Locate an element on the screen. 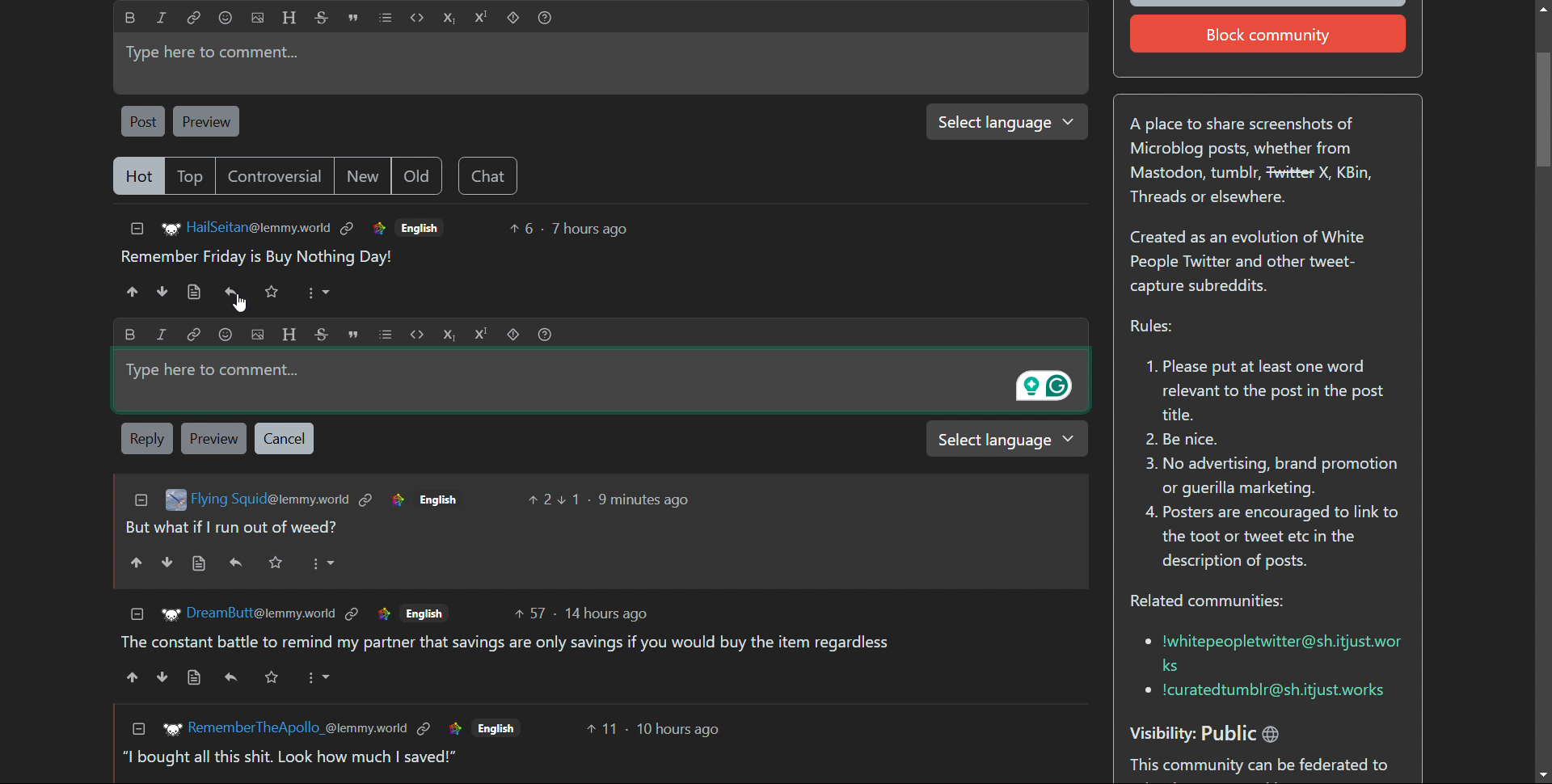 The width and height of the screenshot is (1552, 784). link is located at coordinates (395, 499).